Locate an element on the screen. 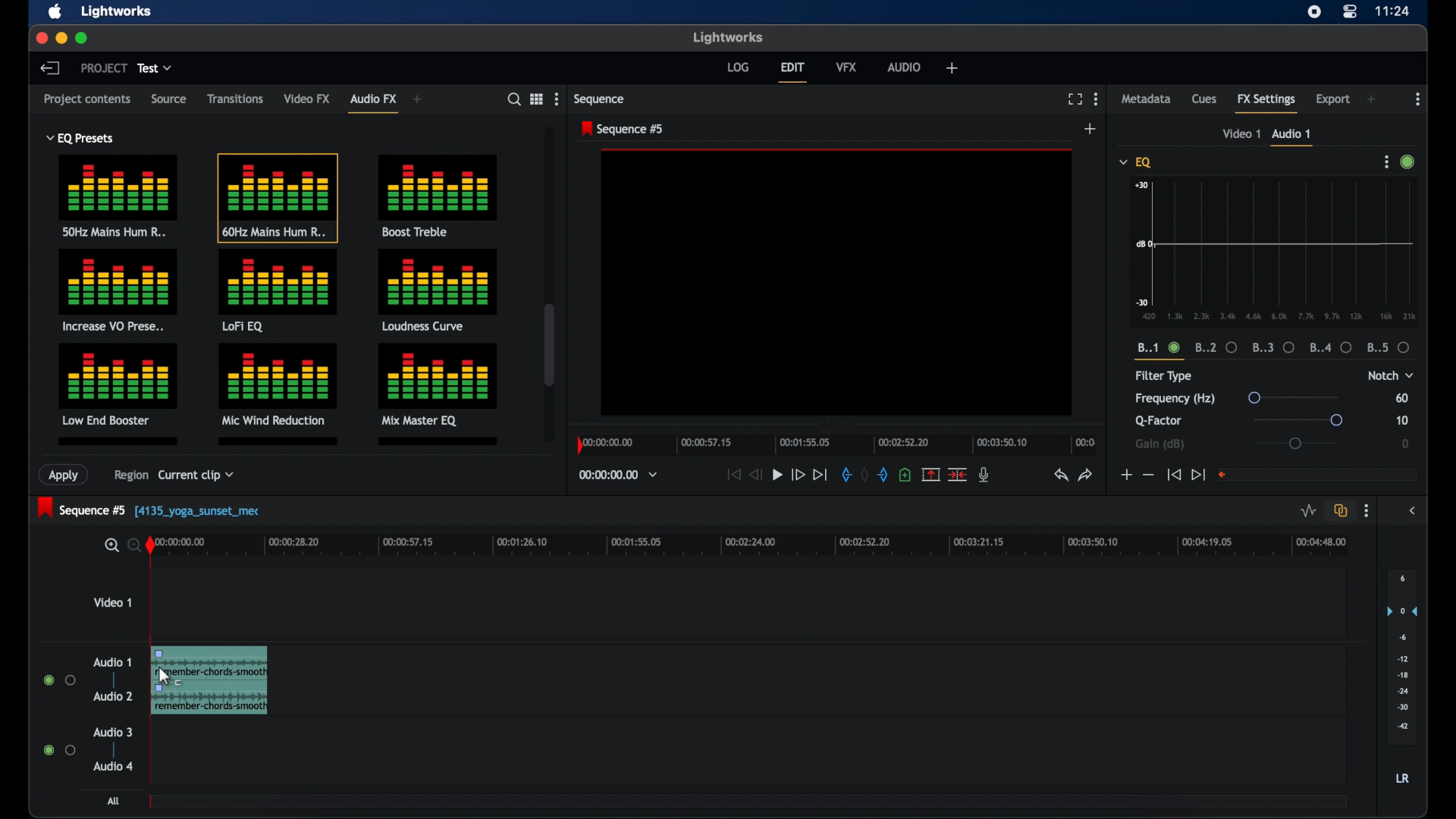 This screenshot has width=1456, height=819. sequence is located at coordinates (599, 99).